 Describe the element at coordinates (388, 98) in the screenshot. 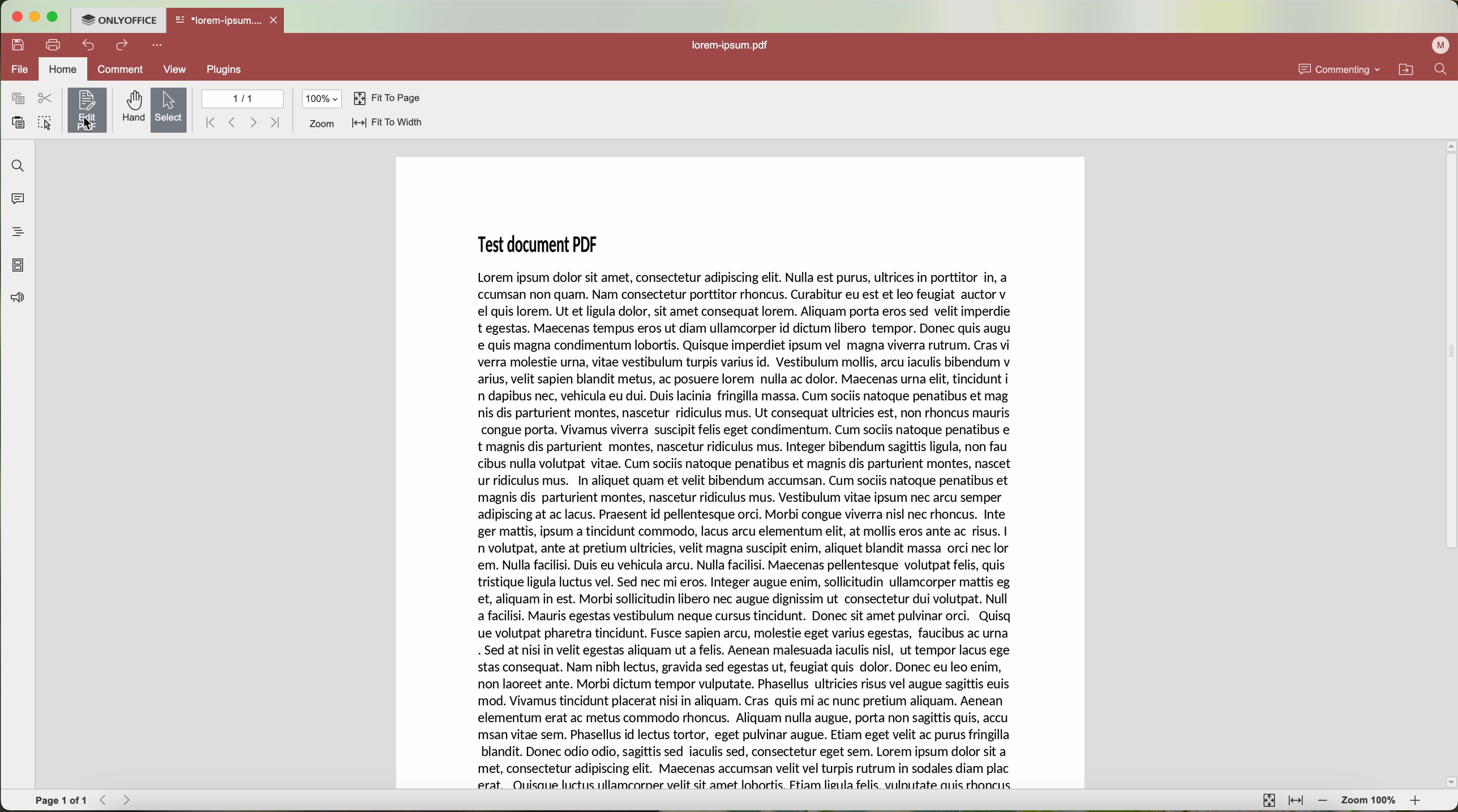

I see `fit to page` at that location.